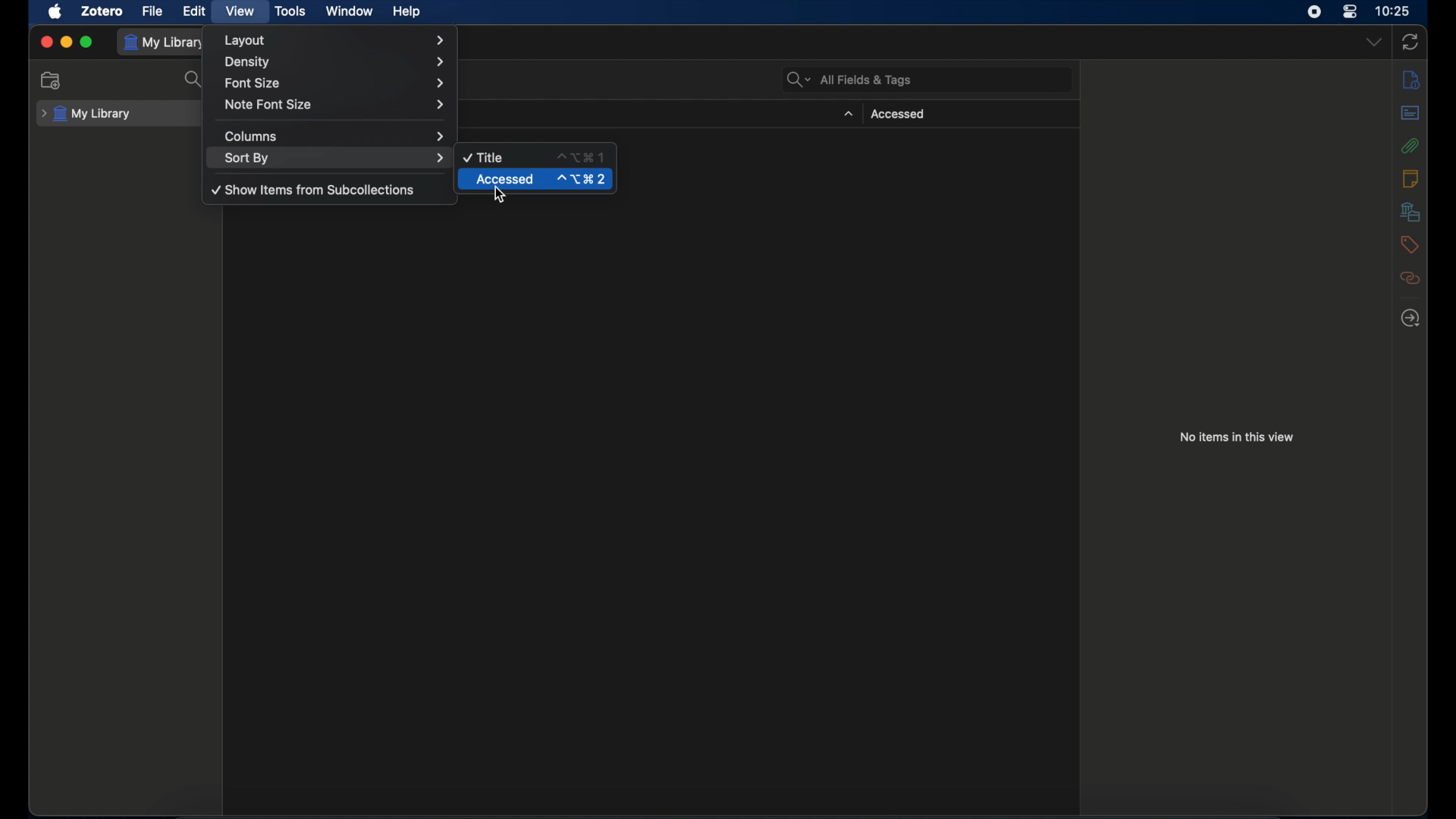 Image resolution: width=1456 pixels, height=819 pixels. What do you see at coordinates (406, 12) in the screenshot?
I see `help` at bounding box center [406, 12].